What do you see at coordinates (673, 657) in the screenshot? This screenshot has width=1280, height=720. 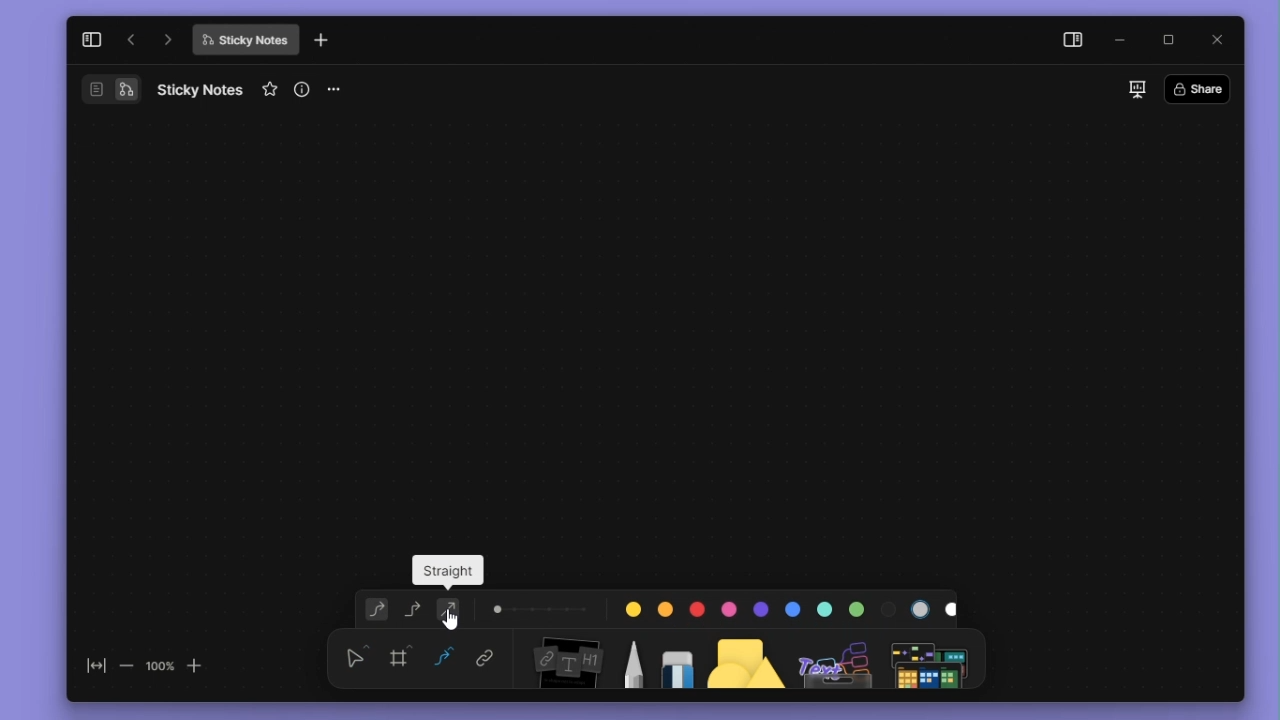 I see `eraser` at bounding box center [673, 657].